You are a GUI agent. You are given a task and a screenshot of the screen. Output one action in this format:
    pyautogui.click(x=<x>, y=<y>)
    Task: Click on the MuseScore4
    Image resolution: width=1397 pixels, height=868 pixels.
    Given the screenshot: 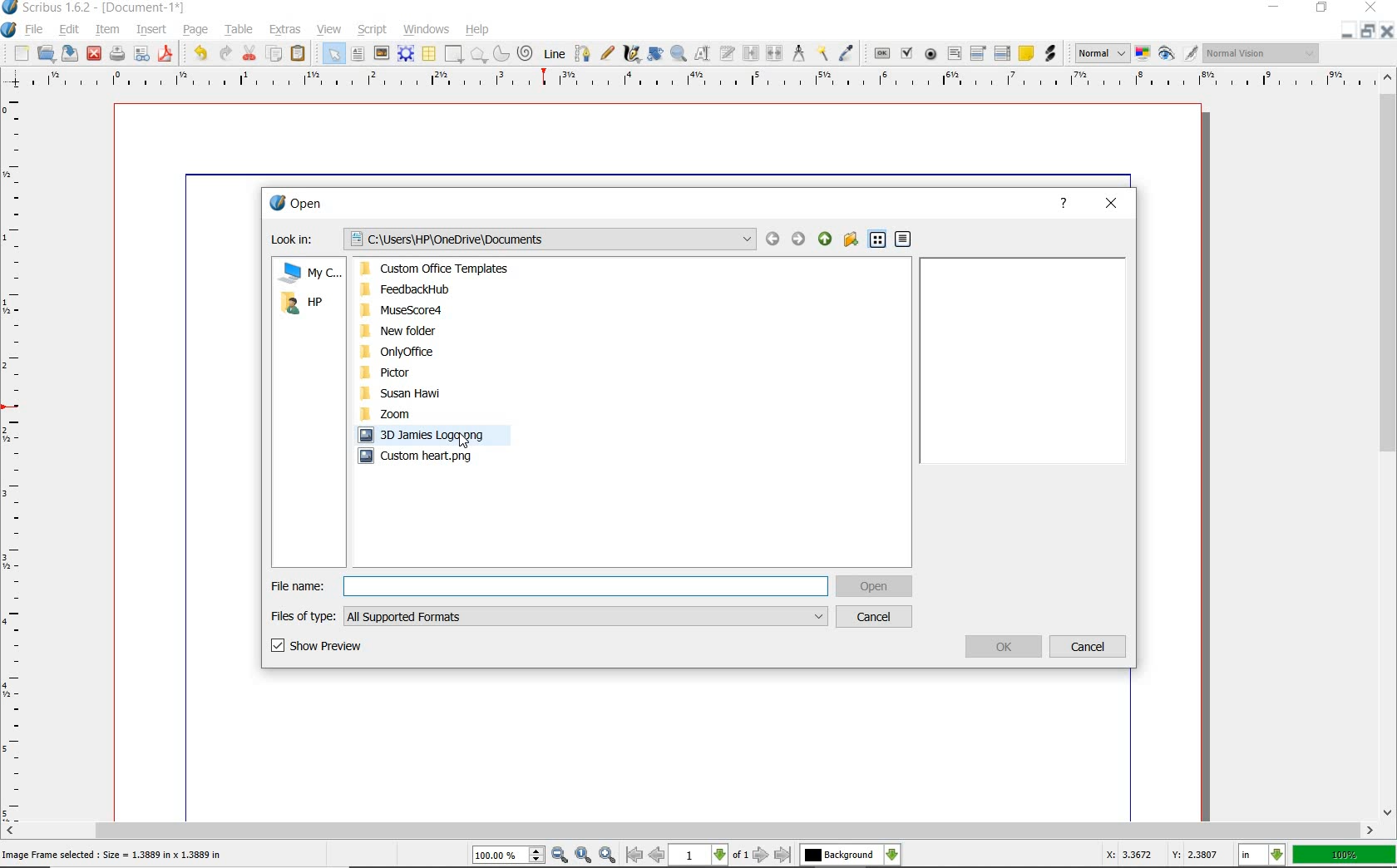 What is the action you would take?
    pyautogui.click(x=441, y=310)
    